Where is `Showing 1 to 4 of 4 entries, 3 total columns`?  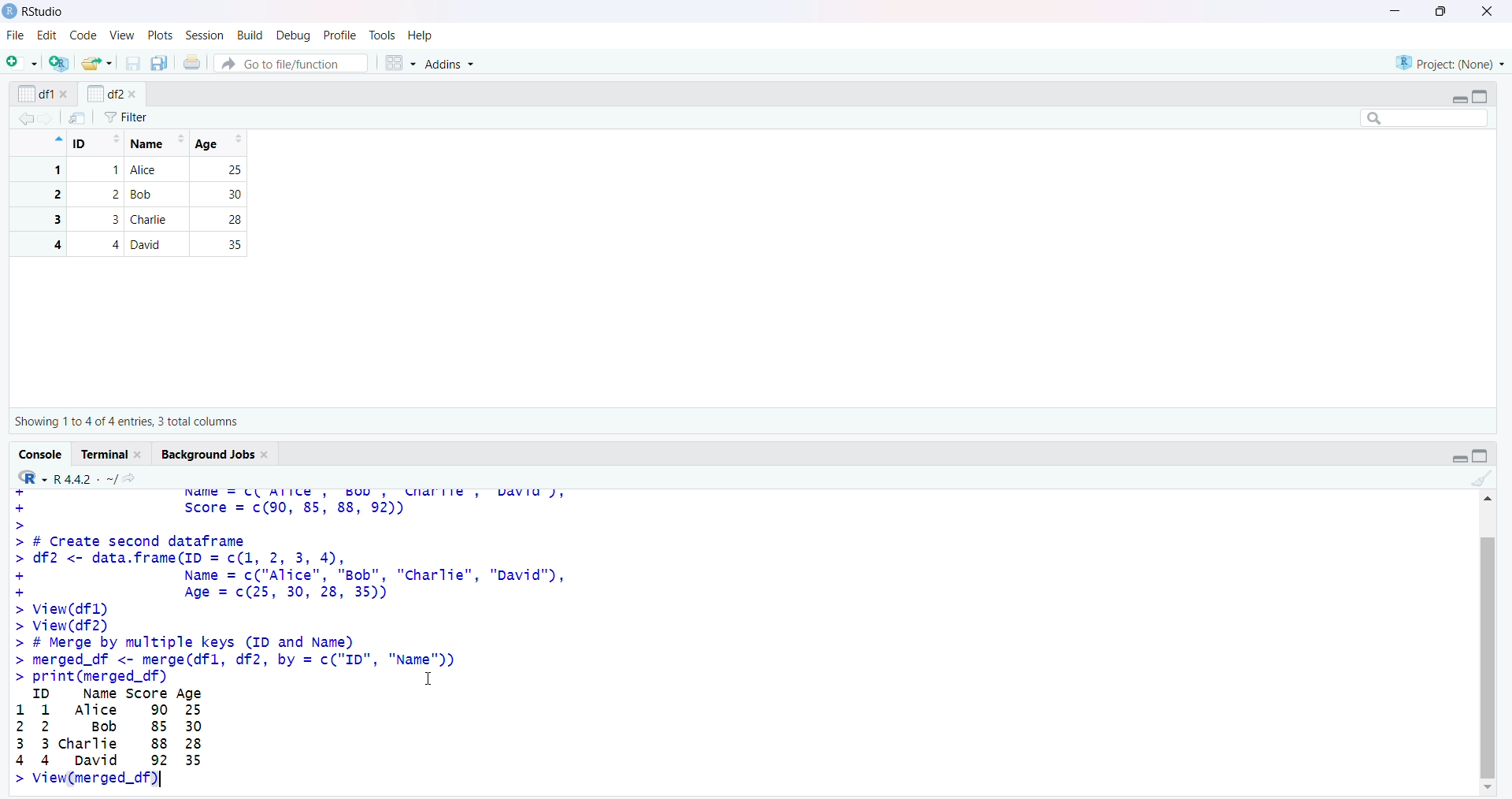 Showing 1 to 4 of 4 entries, 3 total columns is located at coordinates (126, 422).